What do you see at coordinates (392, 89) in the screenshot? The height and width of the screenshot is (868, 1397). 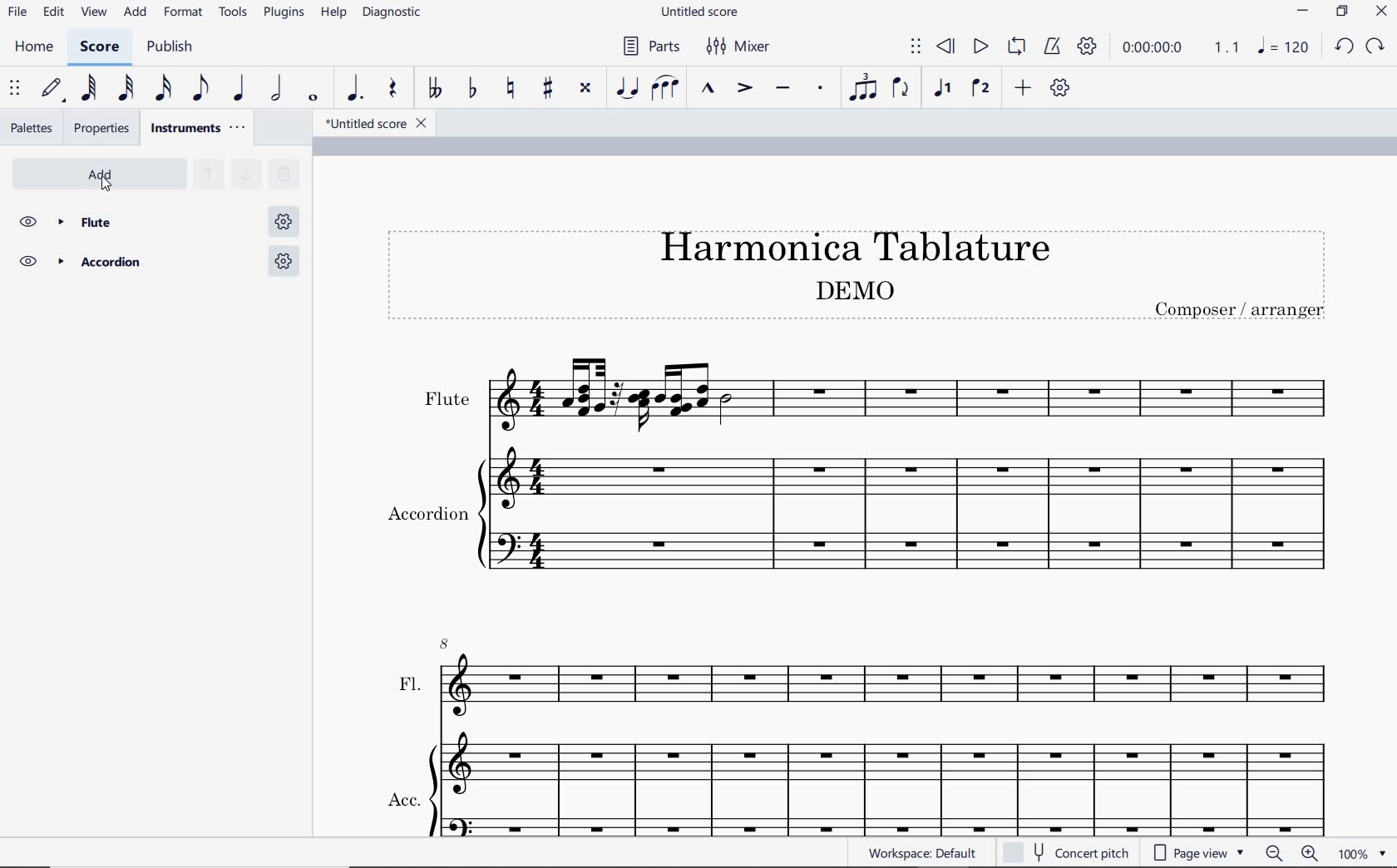 I see `rest` at bounding box center [392, 89].